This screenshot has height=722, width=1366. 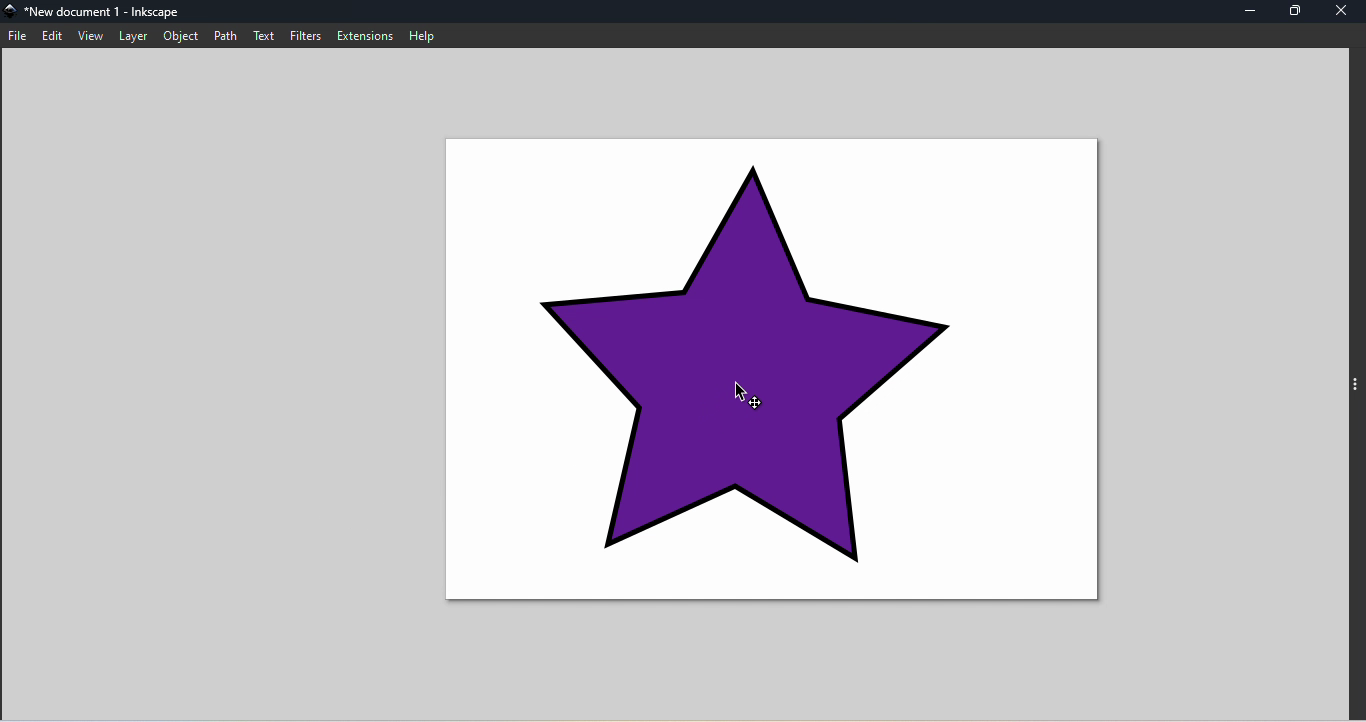 What do you see at coordinates (178, 37) in the screenshot?
I see `Object` at bounding box center [178, 37].